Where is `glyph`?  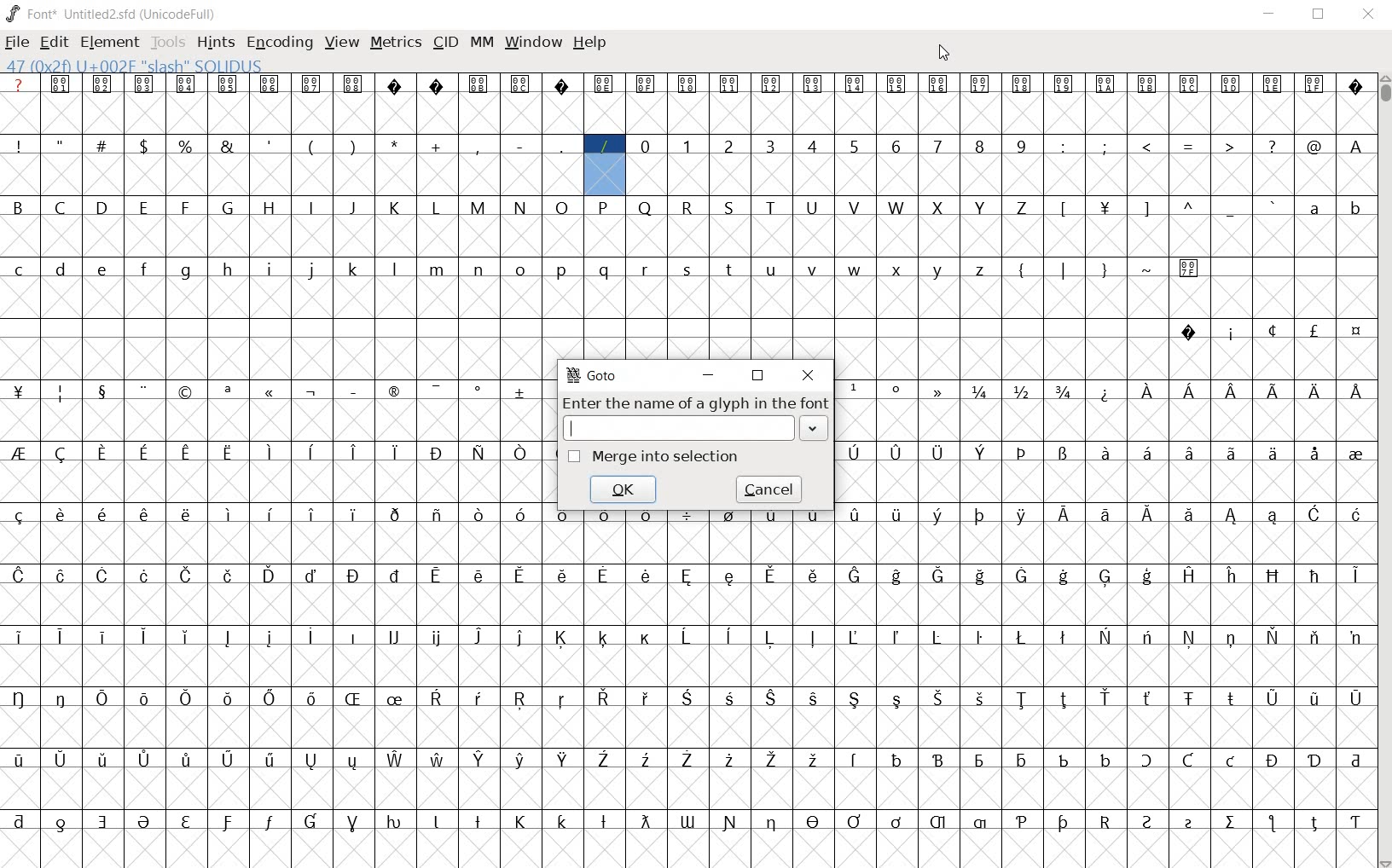 glyph is located at coordinates (604, 697).